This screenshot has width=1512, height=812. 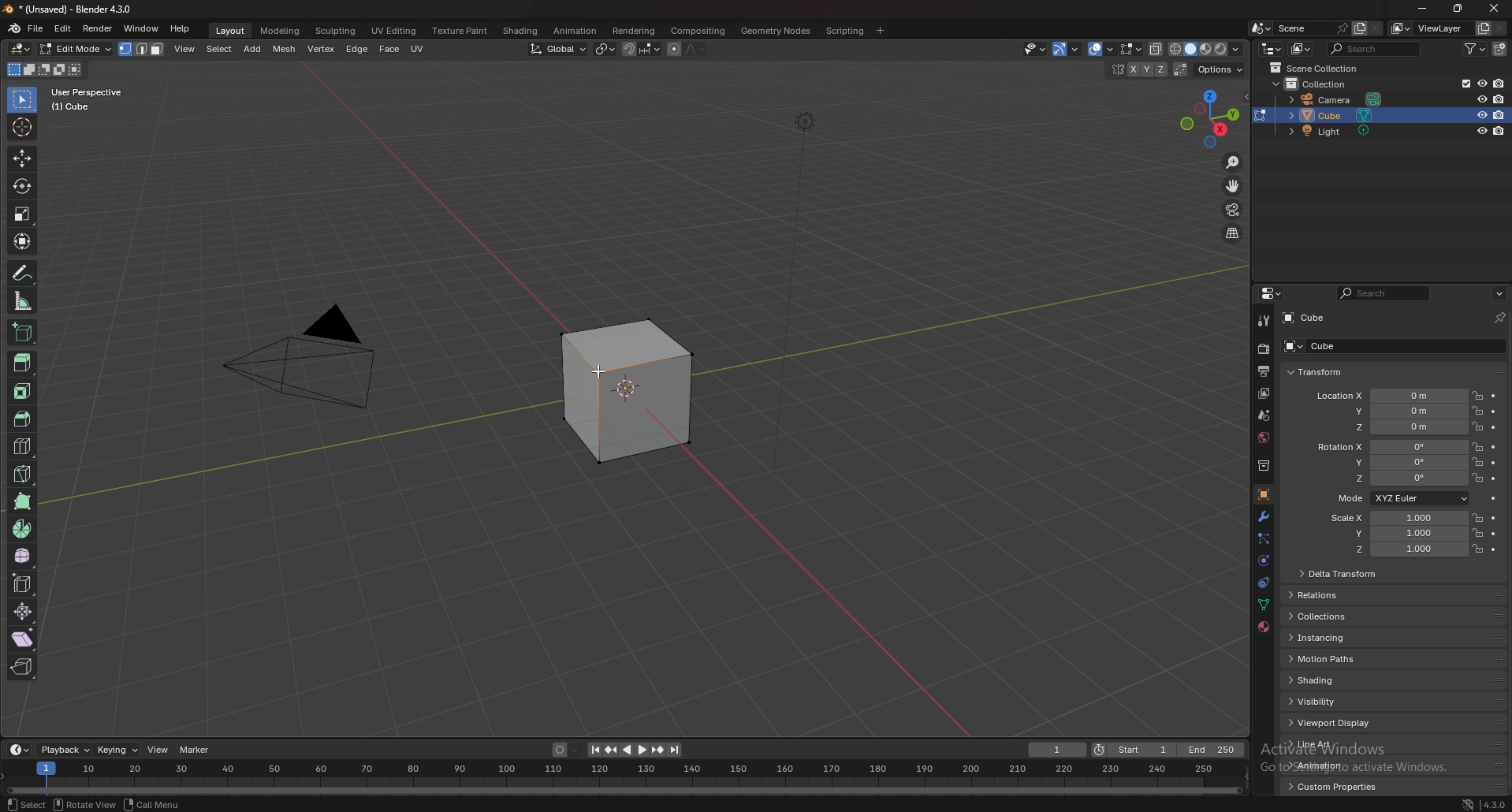 I want to click on motion paths, so click(x=1349, y=658).